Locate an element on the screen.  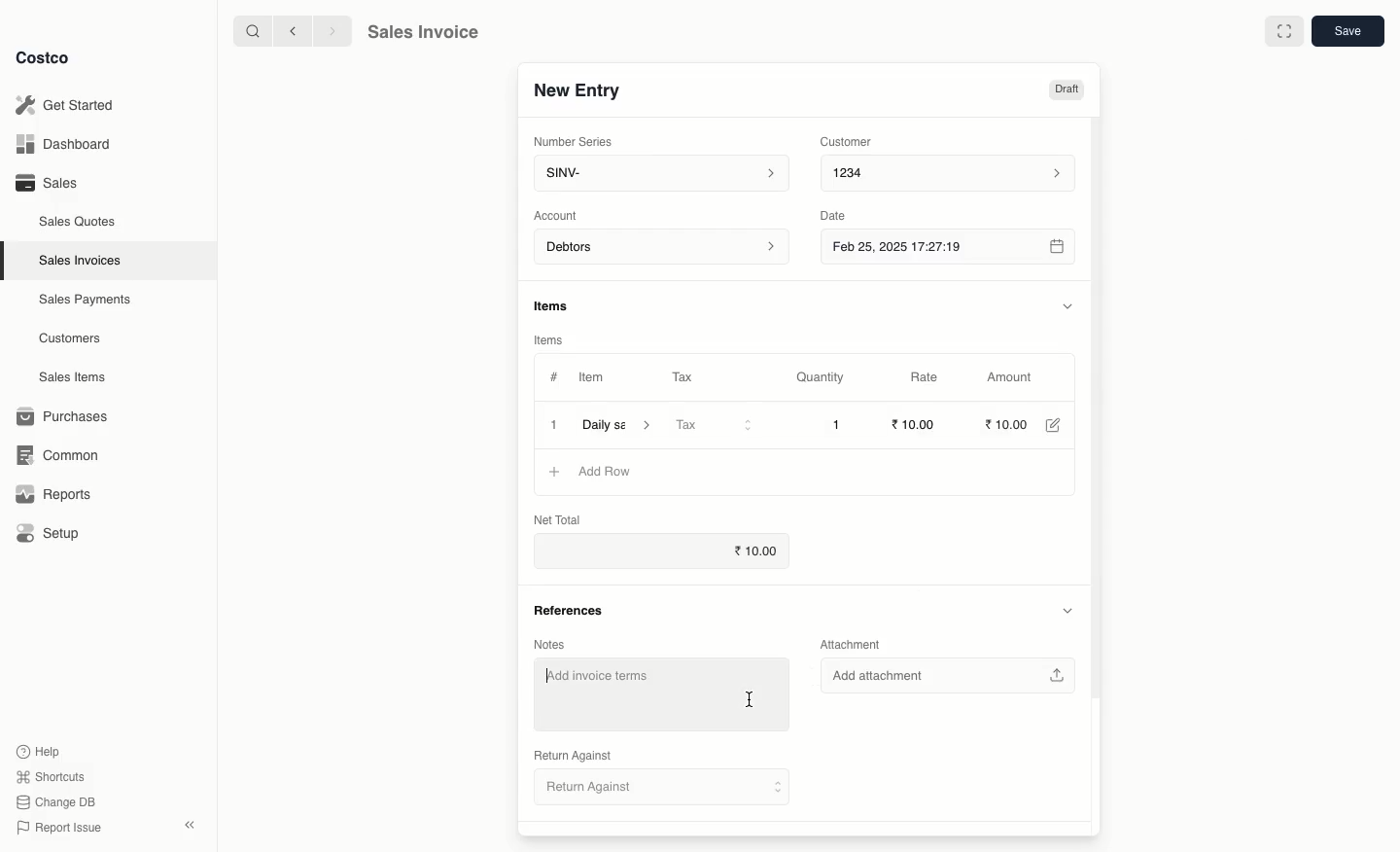
Attachment is located at coordinates (855, 644).